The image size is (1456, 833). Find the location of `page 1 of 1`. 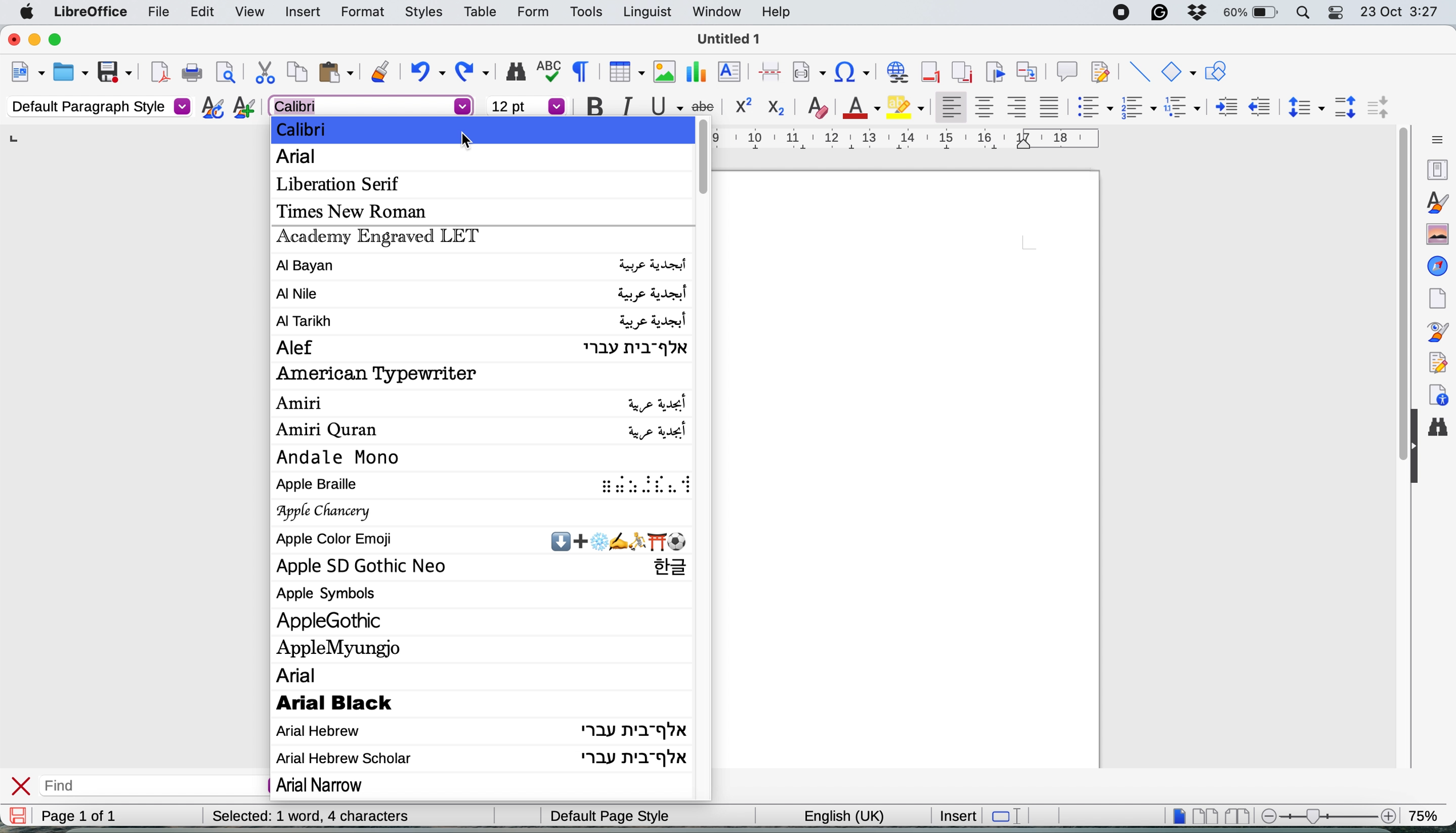

page 1 of 1 is located at coordinates (77, 816).